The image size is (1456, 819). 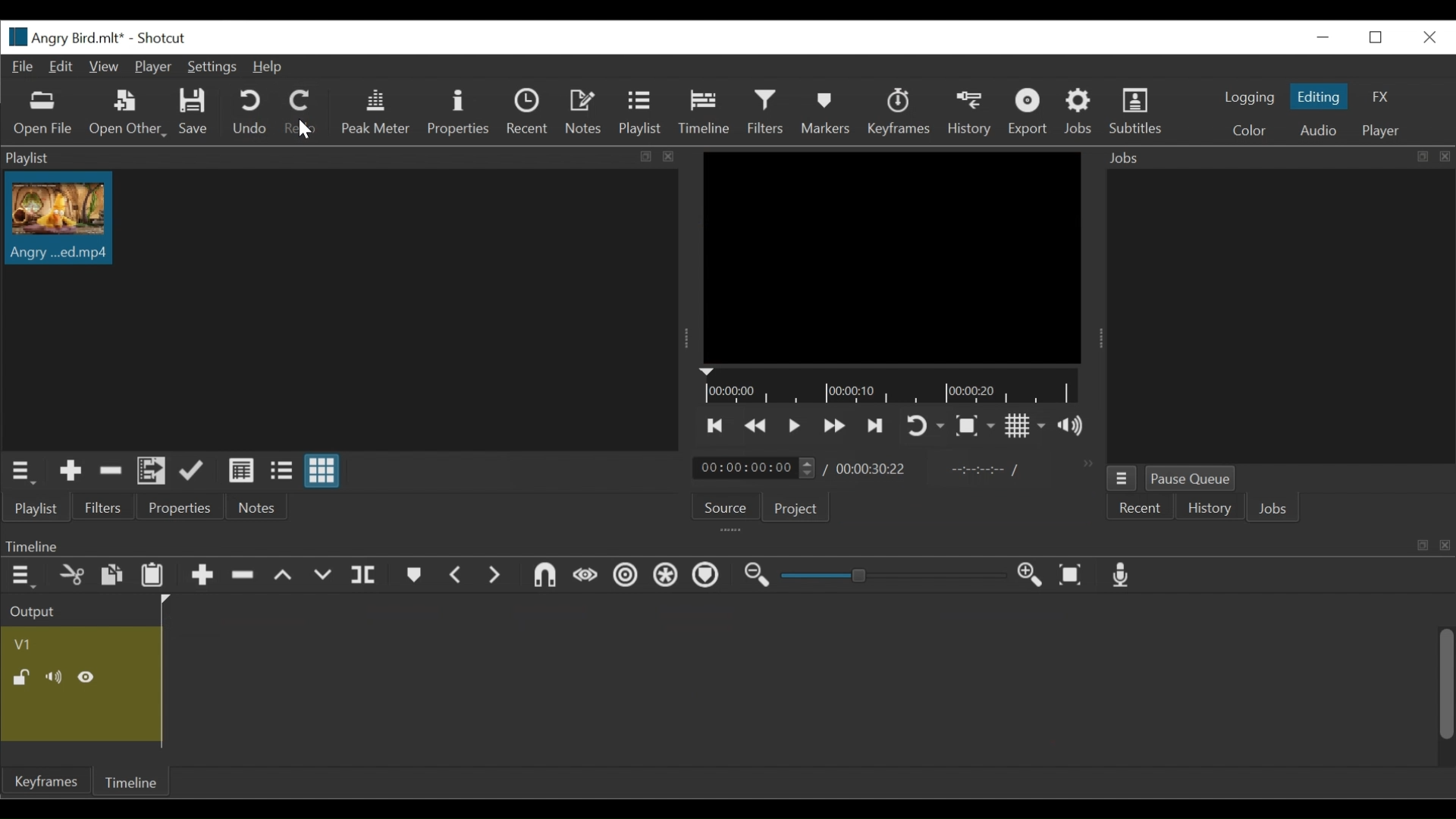 What do you see at coordinates (60, 36) in the screenshot?
I see `File Name` at bounding box center [60, 36].